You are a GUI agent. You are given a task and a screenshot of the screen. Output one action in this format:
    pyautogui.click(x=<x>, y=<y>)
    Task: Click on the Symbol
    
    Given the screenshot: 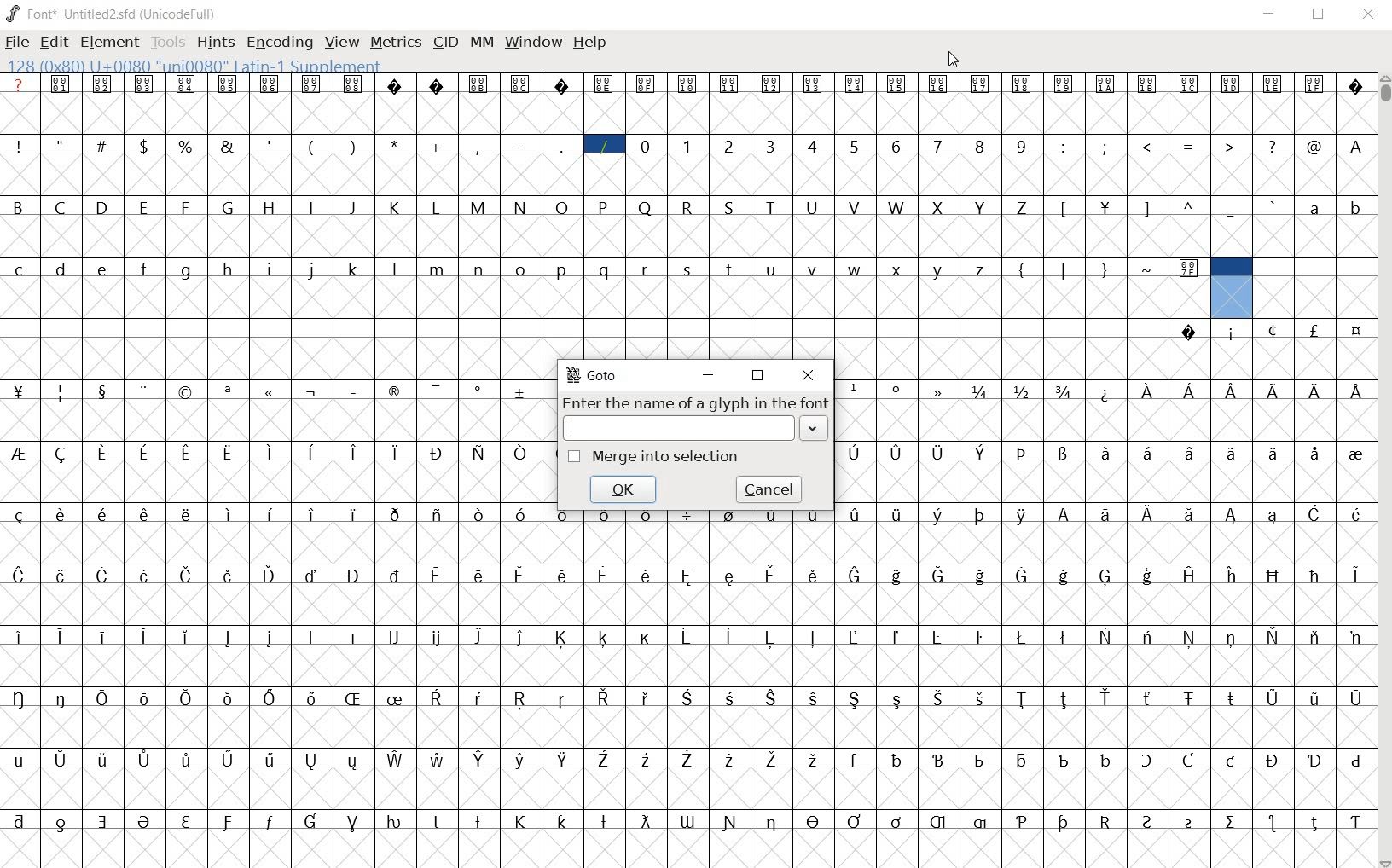 What is the action you would take?
    pyautogui.click(x=1354, y=820)
    